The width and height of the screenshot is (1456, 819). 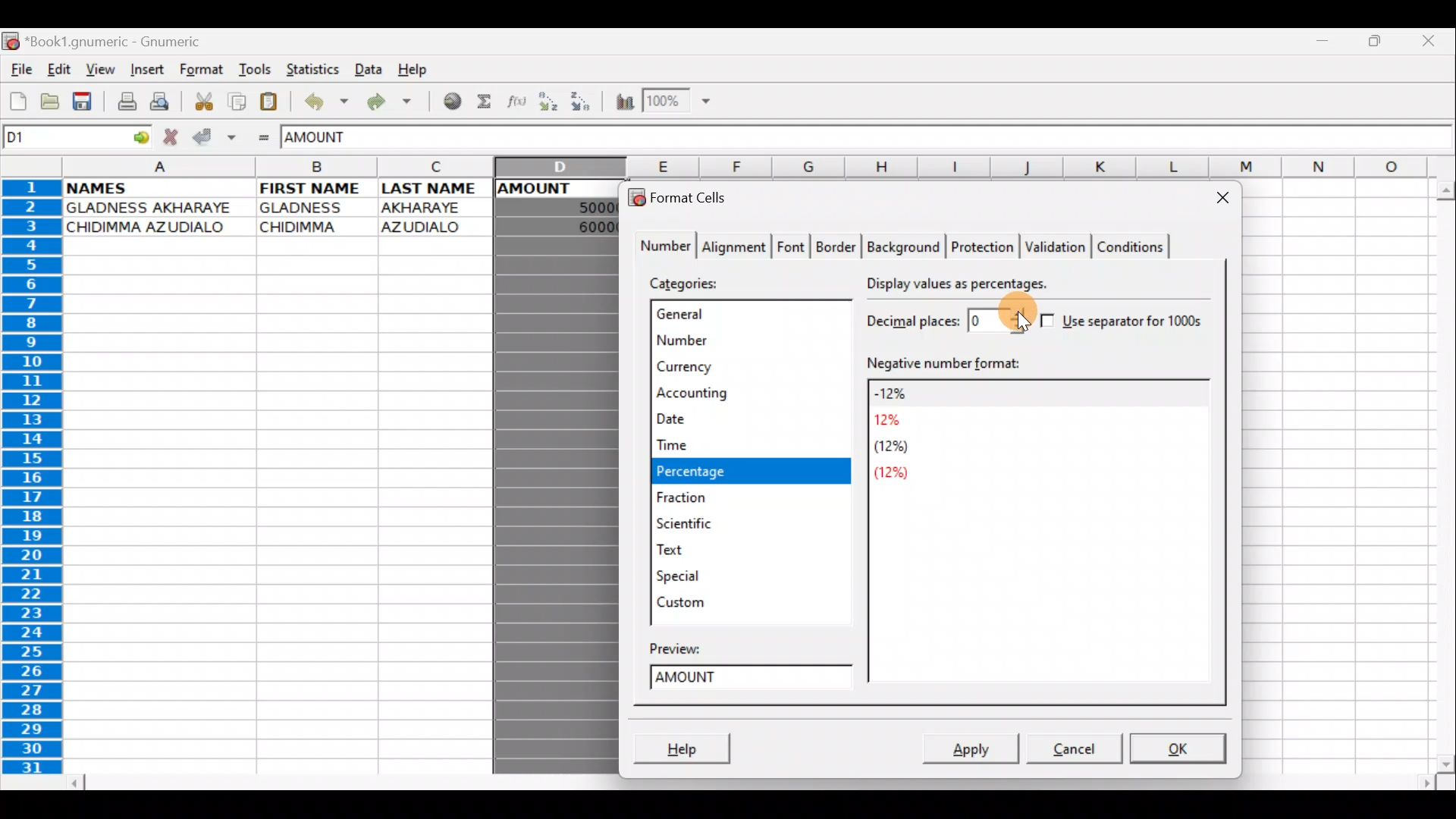 I want to click on Columns, so click(x=758, y=166).